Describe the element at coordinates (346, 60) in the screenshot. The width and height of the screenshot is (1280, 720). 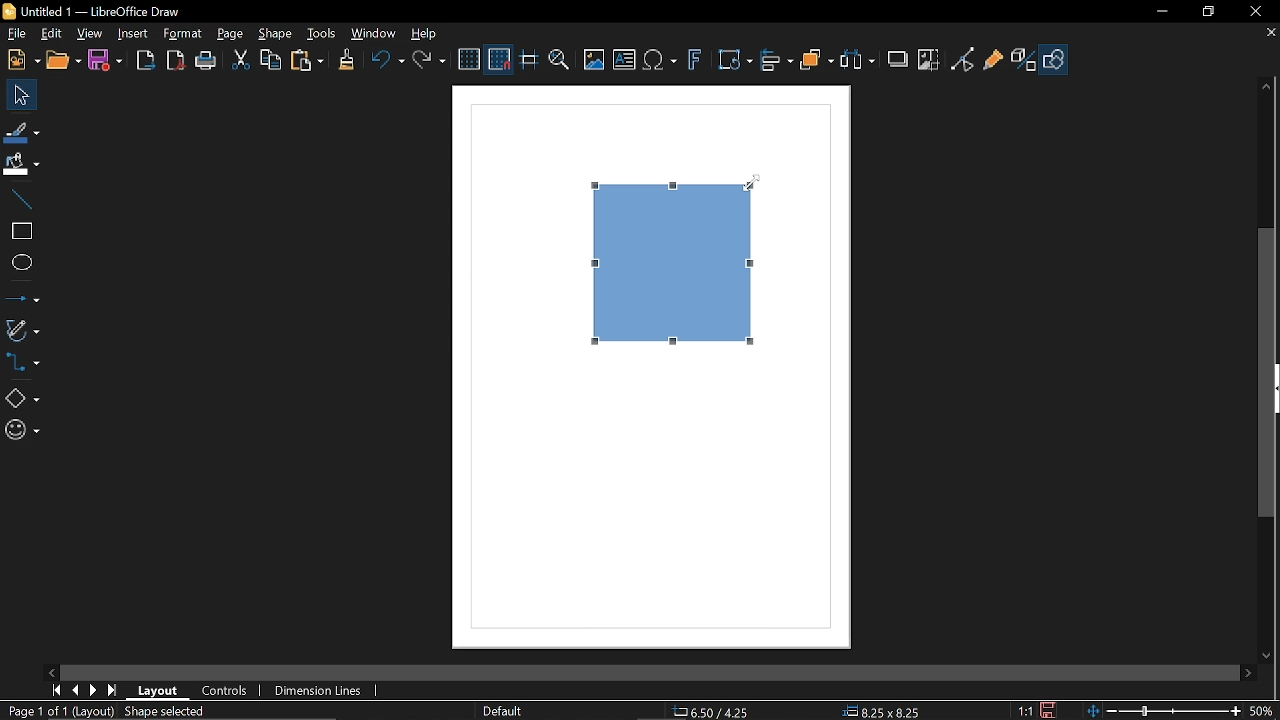
I see `Clone formatting` at that location.